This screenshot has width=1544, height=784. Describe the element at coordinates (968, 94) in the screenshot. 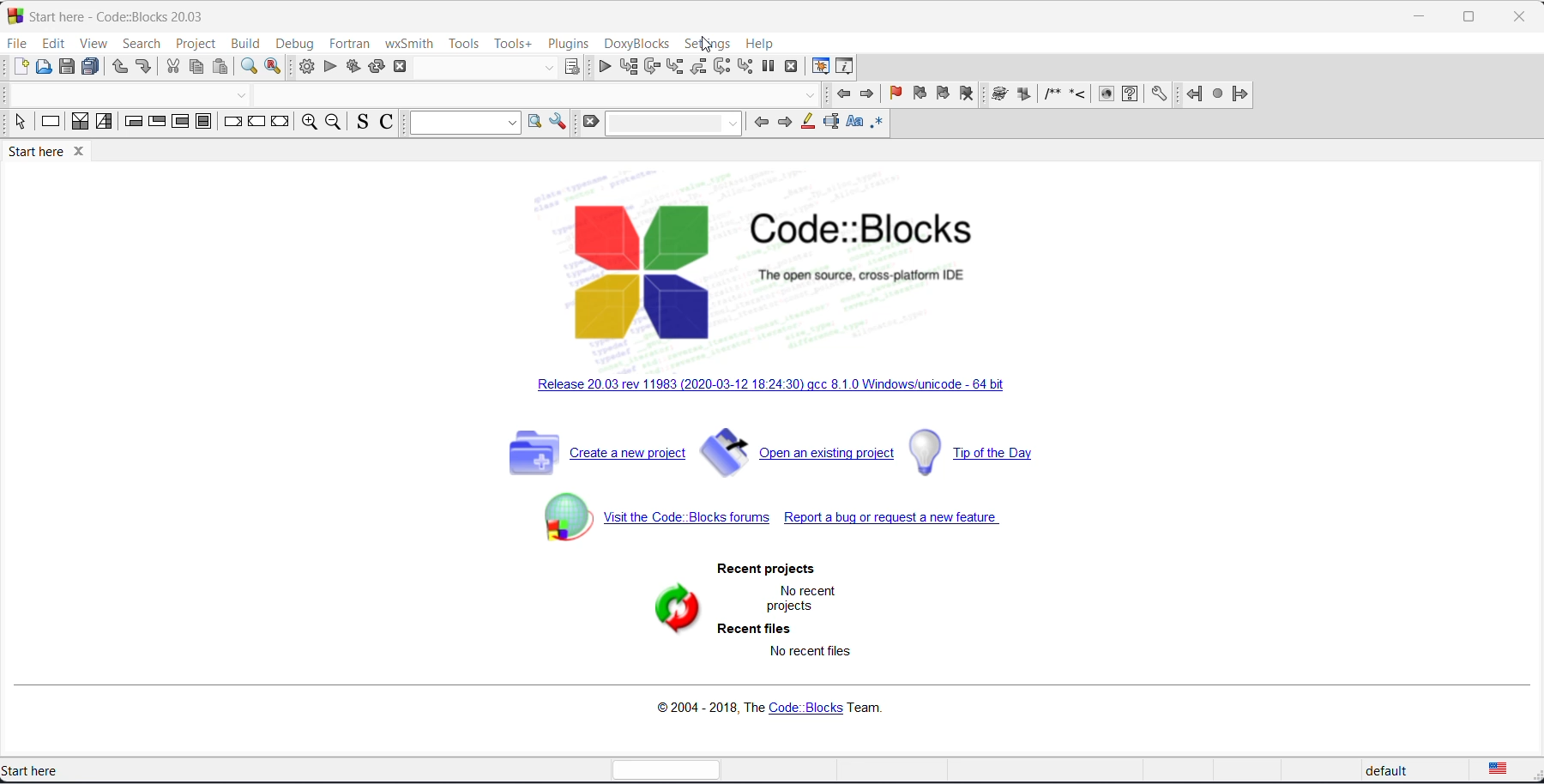

I see `remove bookmark` at that location.